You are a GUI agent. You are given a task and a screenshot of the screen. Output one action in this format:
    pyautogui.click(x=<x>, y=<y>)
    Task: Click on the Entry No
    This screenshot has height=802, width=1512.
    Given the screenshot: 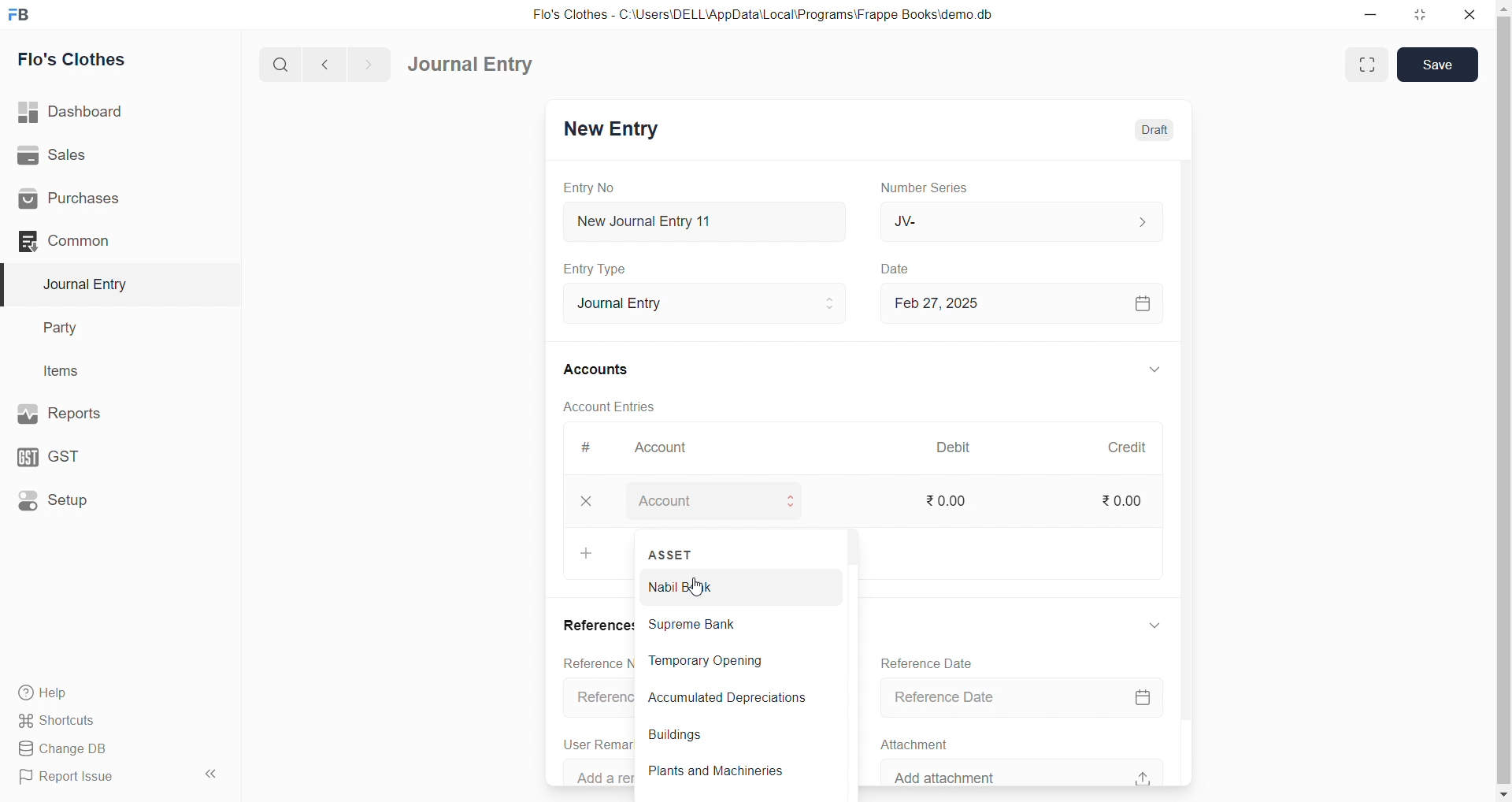 What is the action you would take?
    pyautogui.click(x=594, y=188)
    